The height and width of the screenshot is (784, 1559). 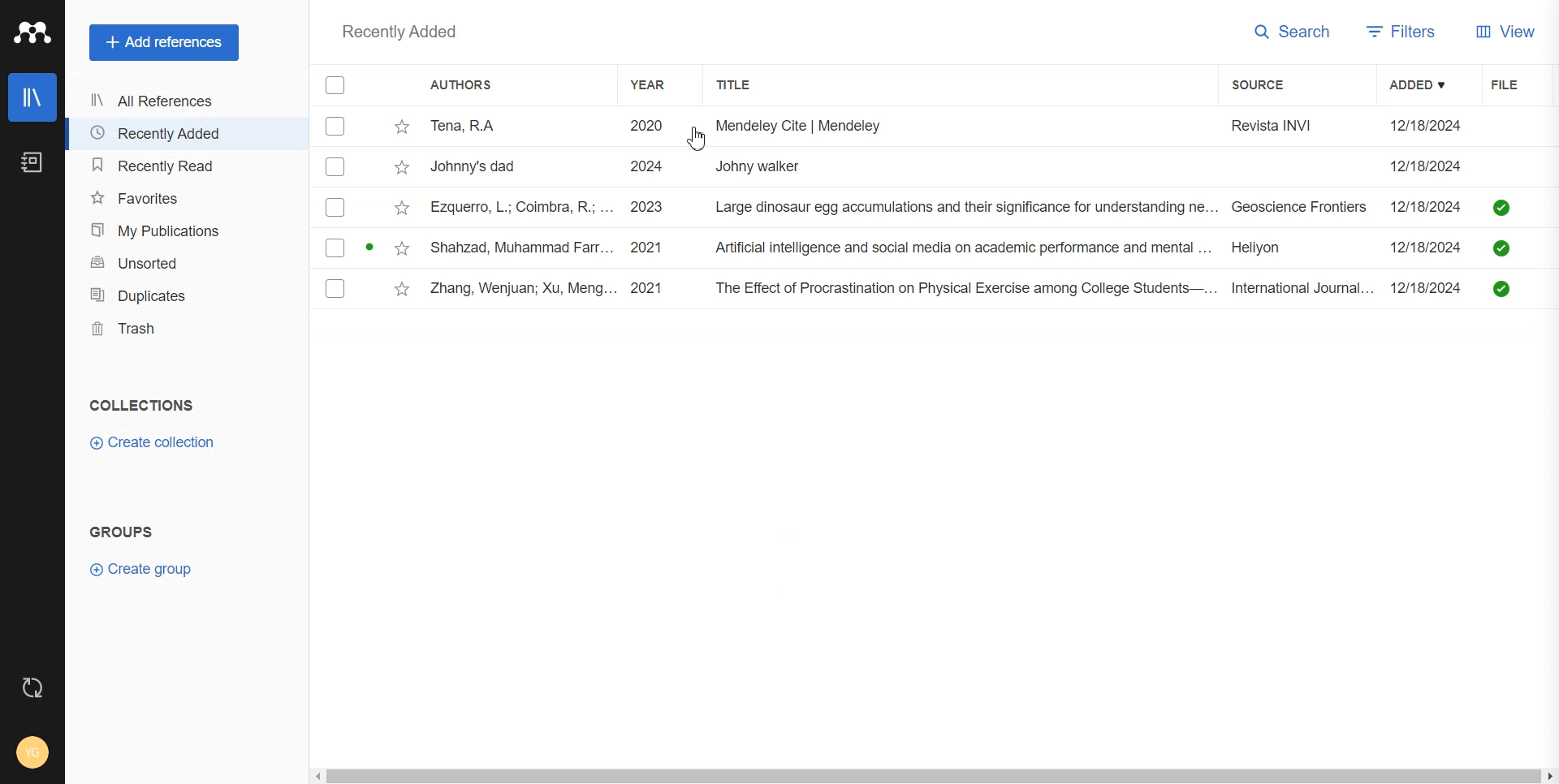 I want to click on Title, so click(x=755, y=85).